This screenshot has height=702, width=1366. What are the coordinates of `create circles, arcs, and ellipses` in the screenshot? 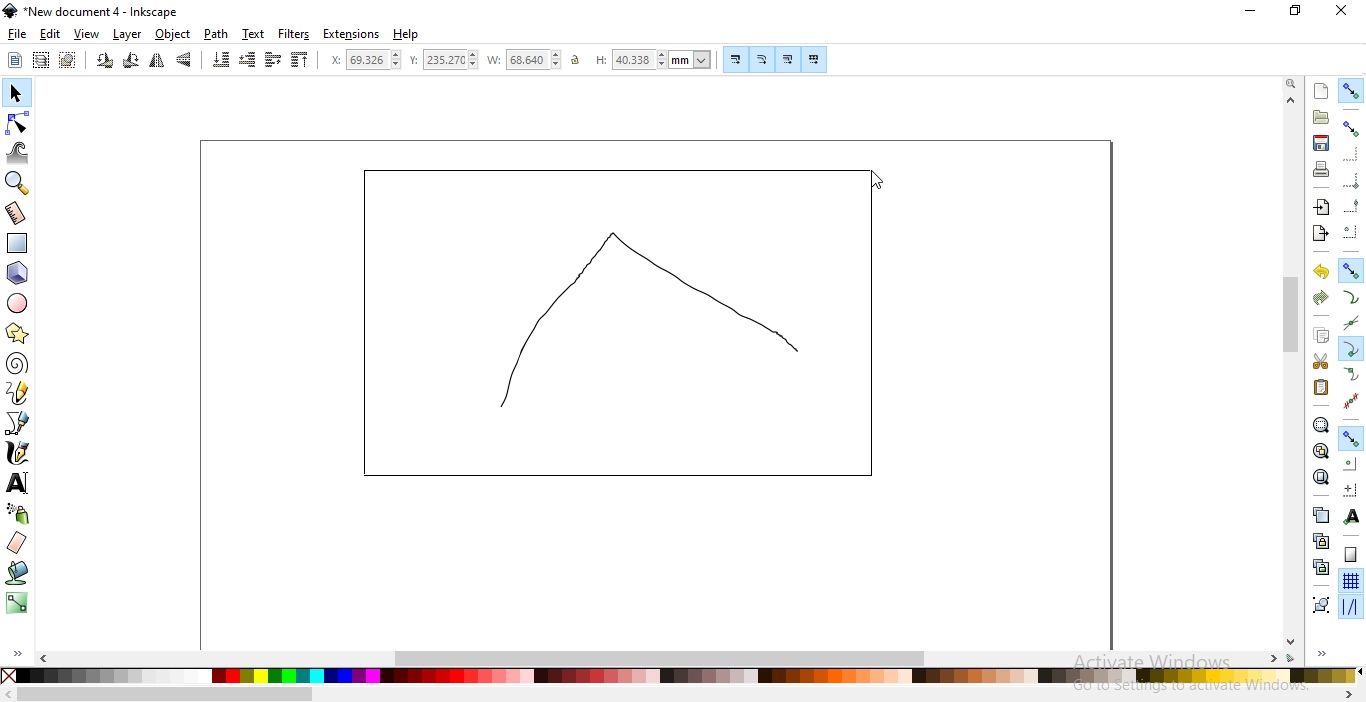 It's located at (18, 303).